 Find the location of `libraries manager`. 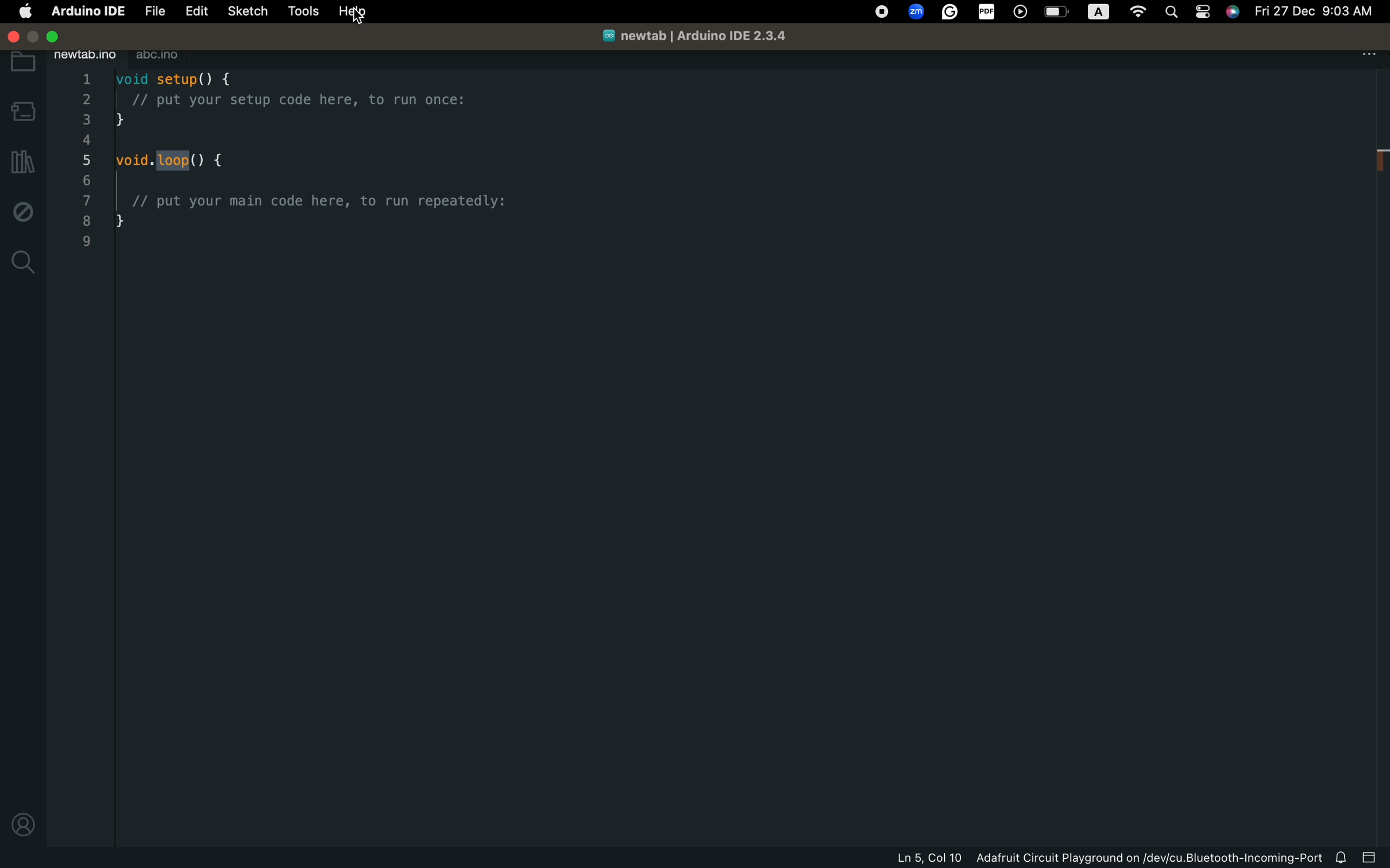

libraries manager is located at coordinates (23, 158).